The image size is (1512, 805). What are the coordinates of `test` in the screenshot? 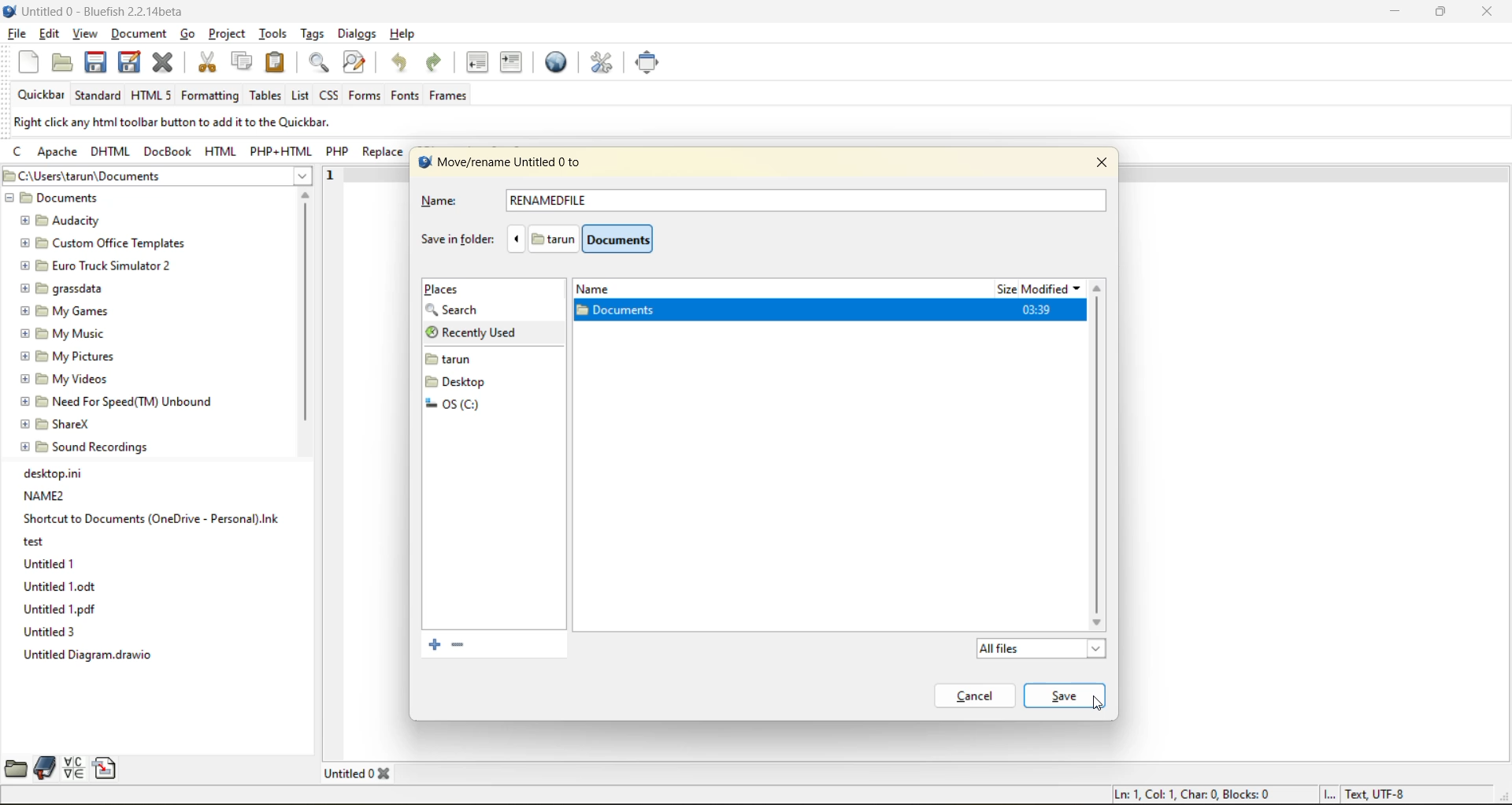 It's located at (35, 543).